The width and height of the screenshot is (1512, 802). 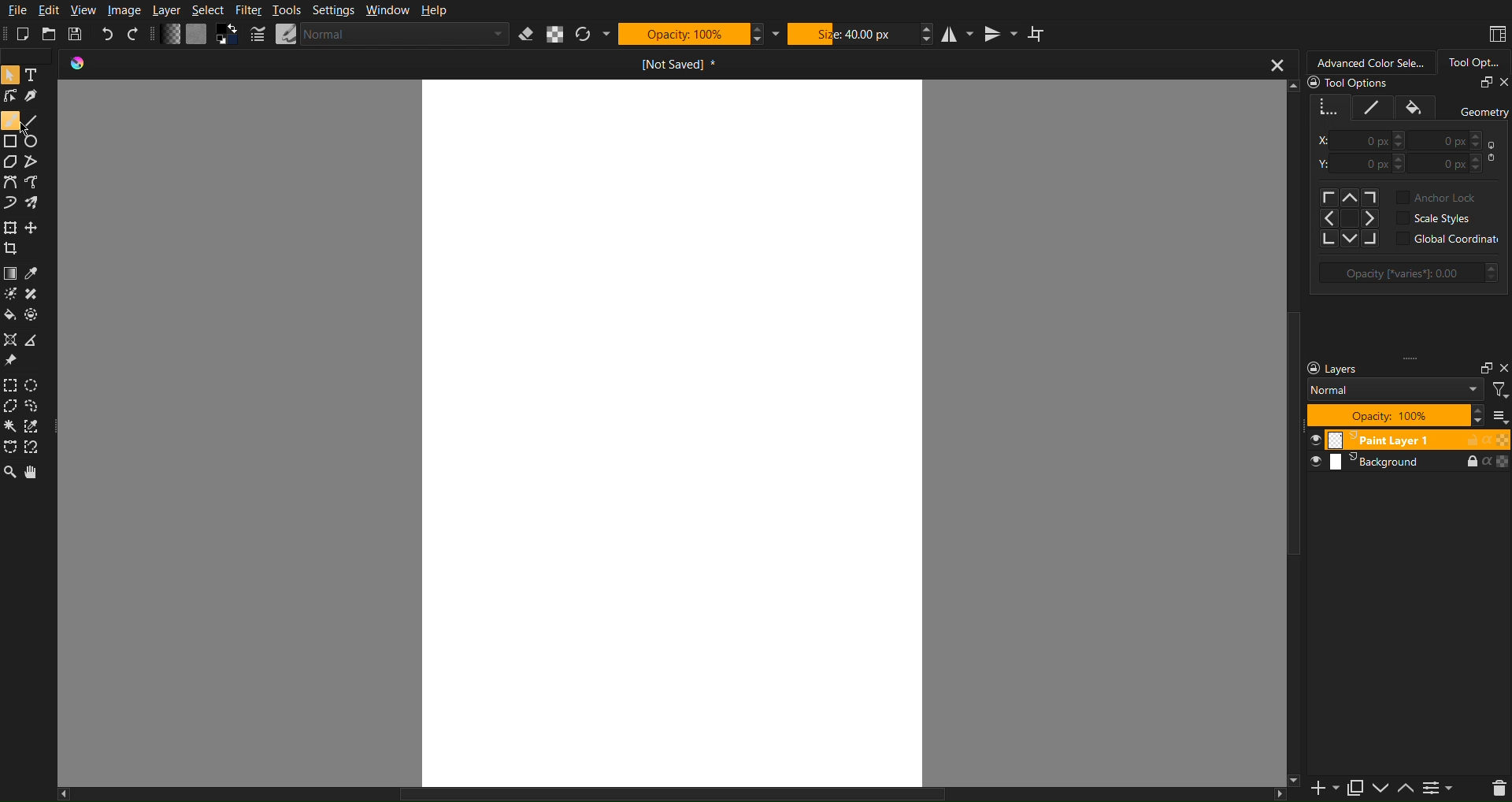 I want to click on Size, so click(x=853, y=34).